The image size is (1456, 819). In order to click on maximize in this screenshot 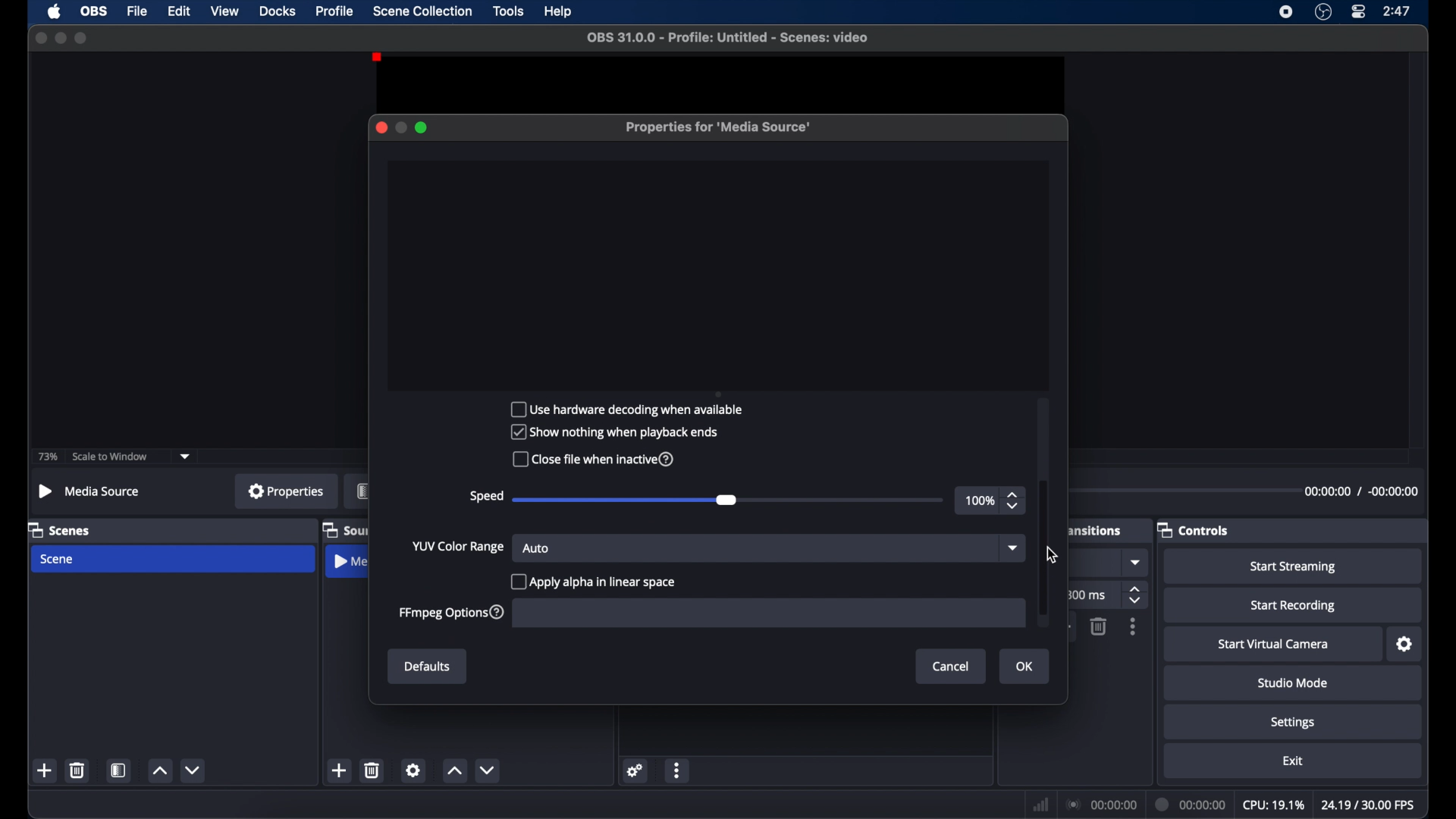, I will do `click(423, 127)`.